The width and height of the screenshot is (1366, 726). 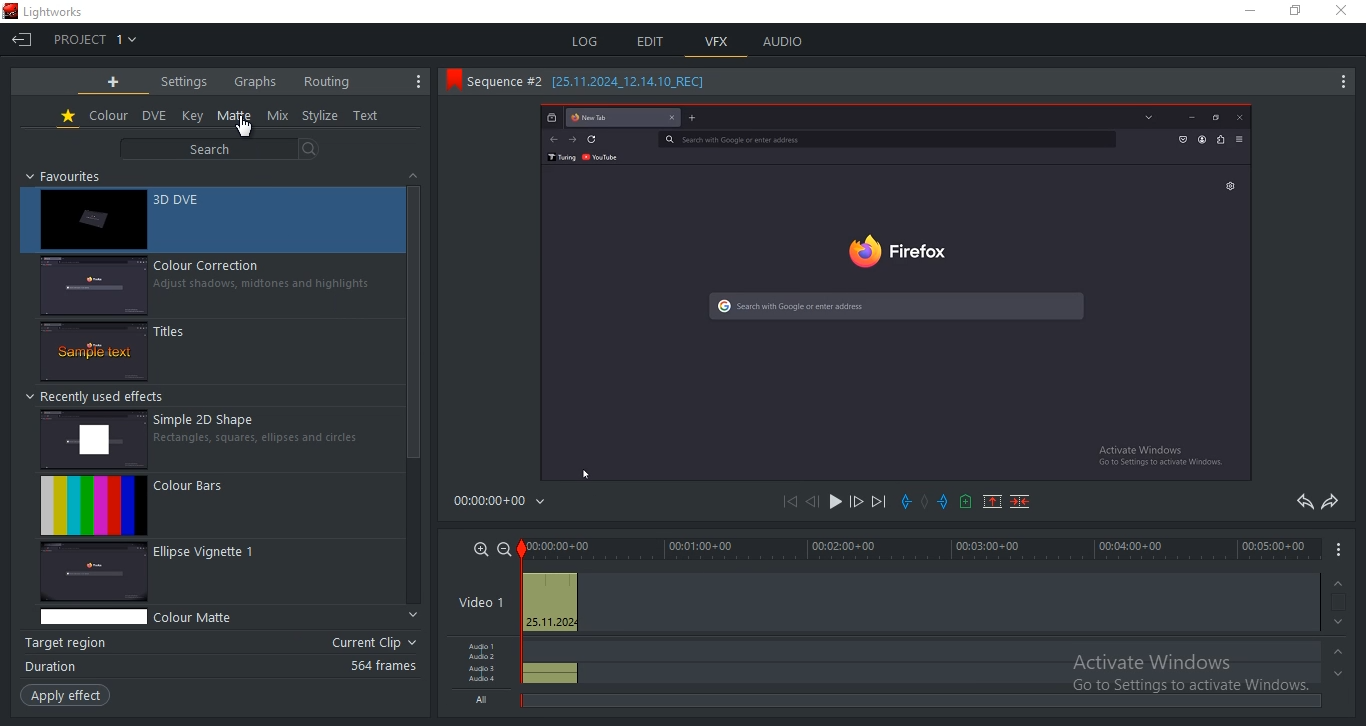 What do you see at coordinates (420, 81) in the screenshot?
I see `show setting menu` at bounding box center [420, 81].